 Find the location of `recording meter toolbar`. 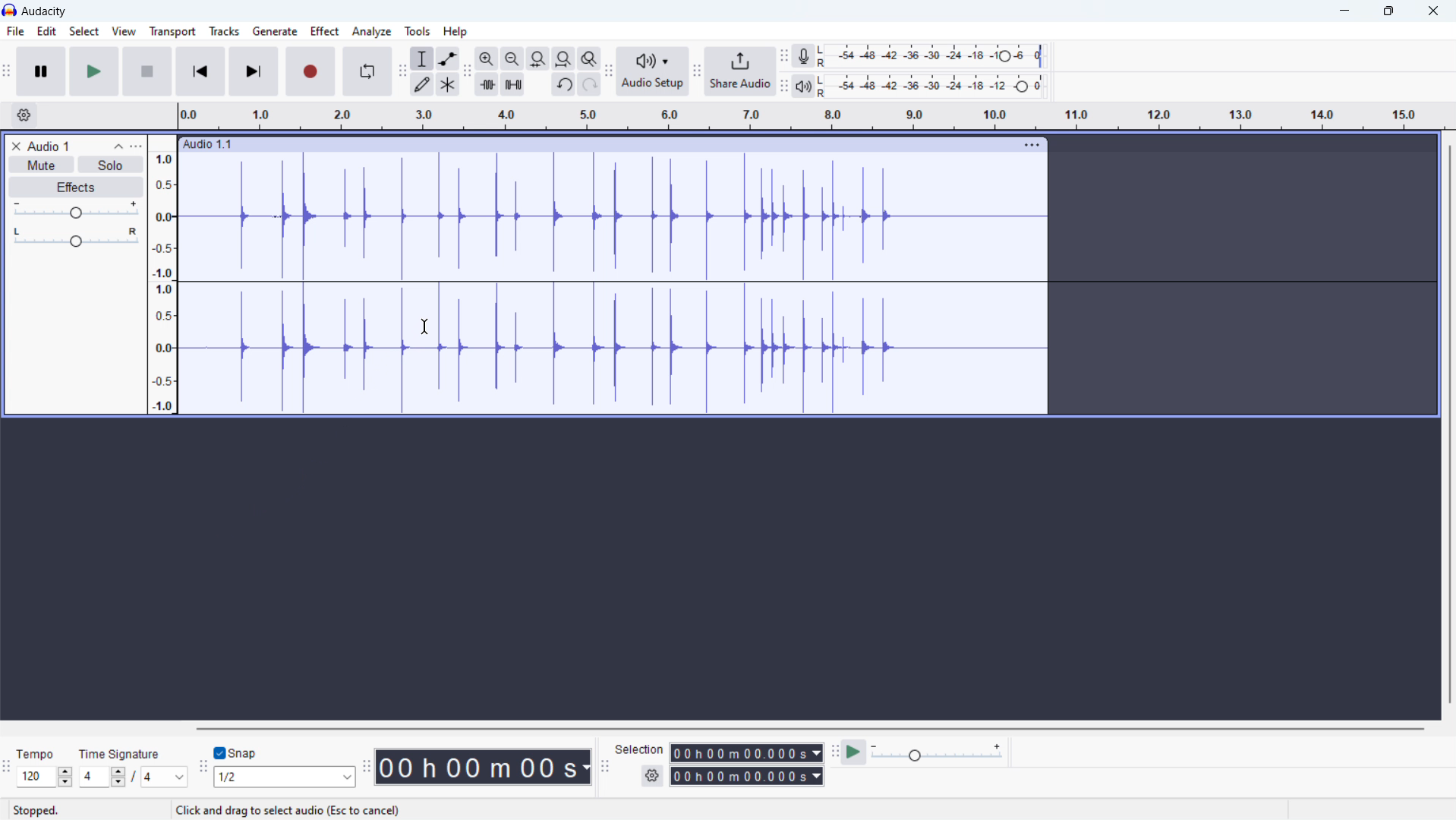

recording meter toolbar is located at coordinates (784, 56).